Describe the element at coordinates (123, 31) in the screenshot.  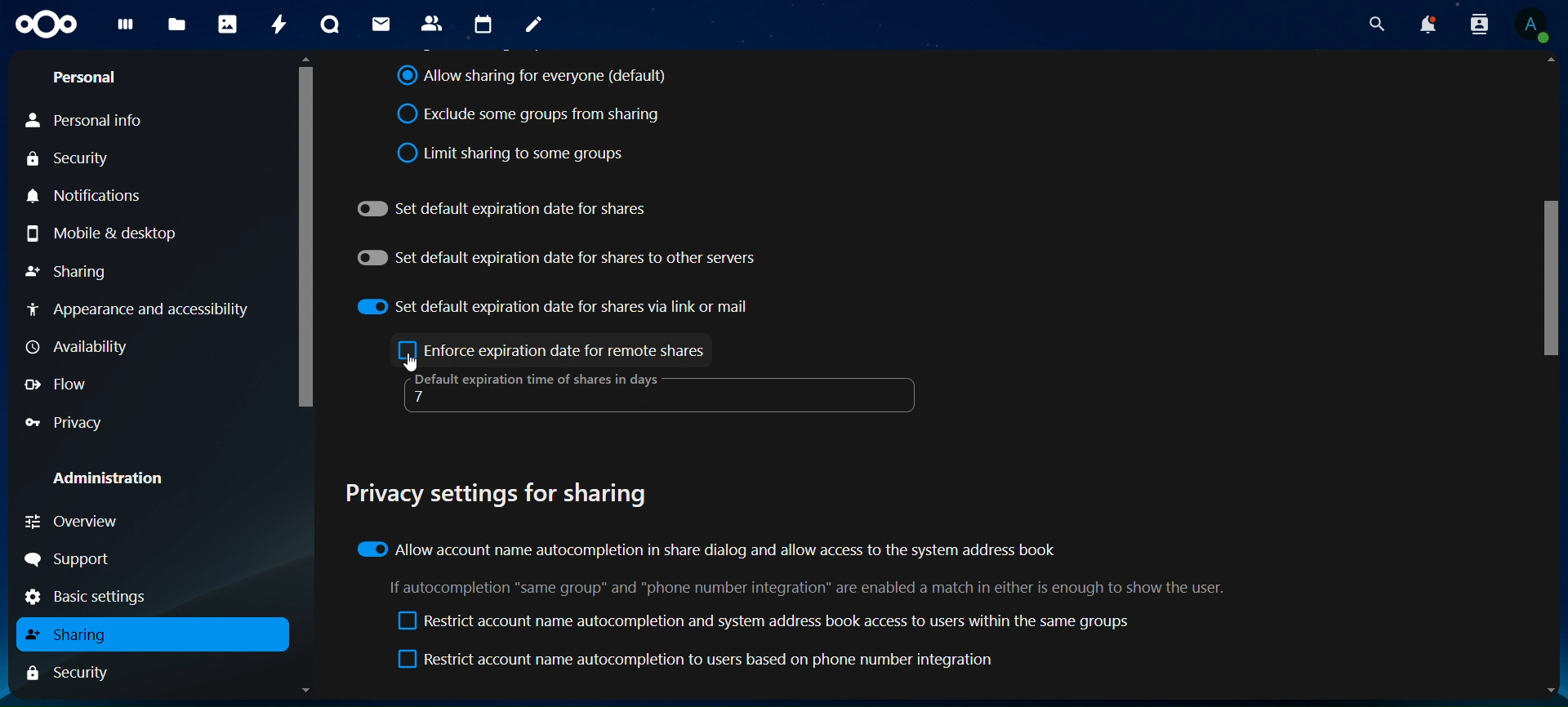
I see `dashboard` at that location.